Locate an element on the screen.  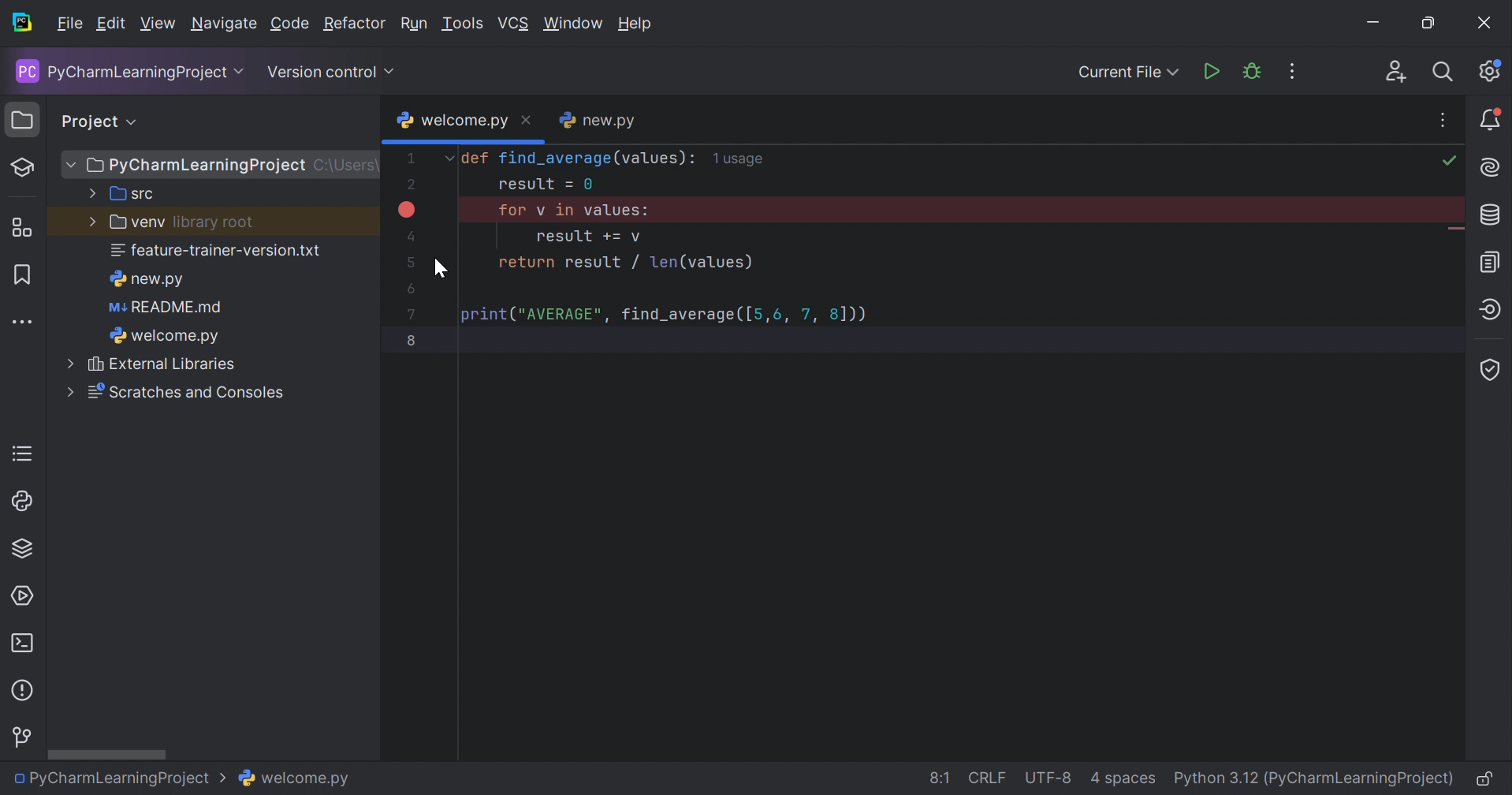
result =+=v is located at coordinates (590, 237).